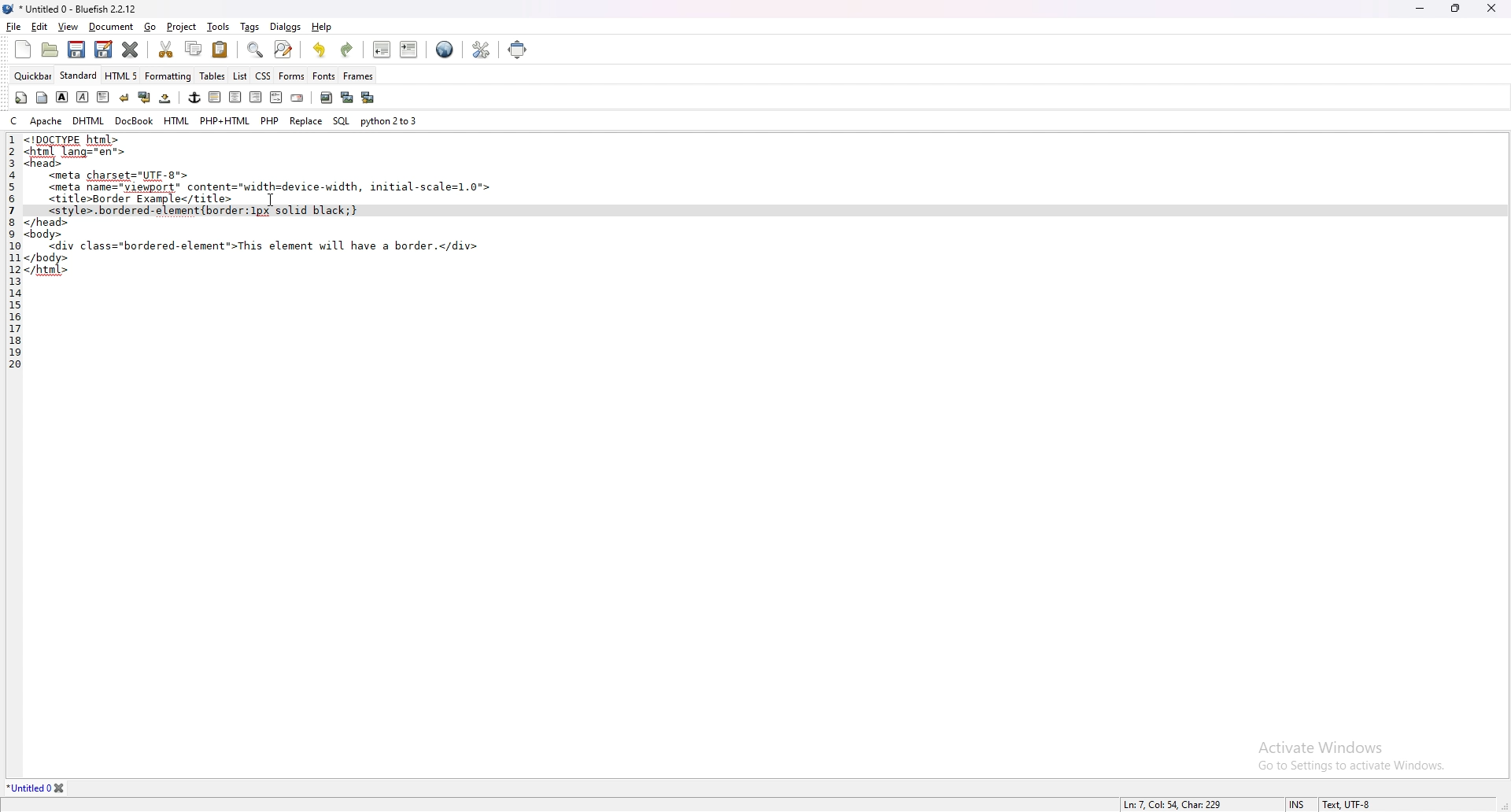 The width and height of the screenshot is (1511, 812). What do you see at coordinates (240, 76) in the screenshot?
I see `list` at bounding box center [240, 76].